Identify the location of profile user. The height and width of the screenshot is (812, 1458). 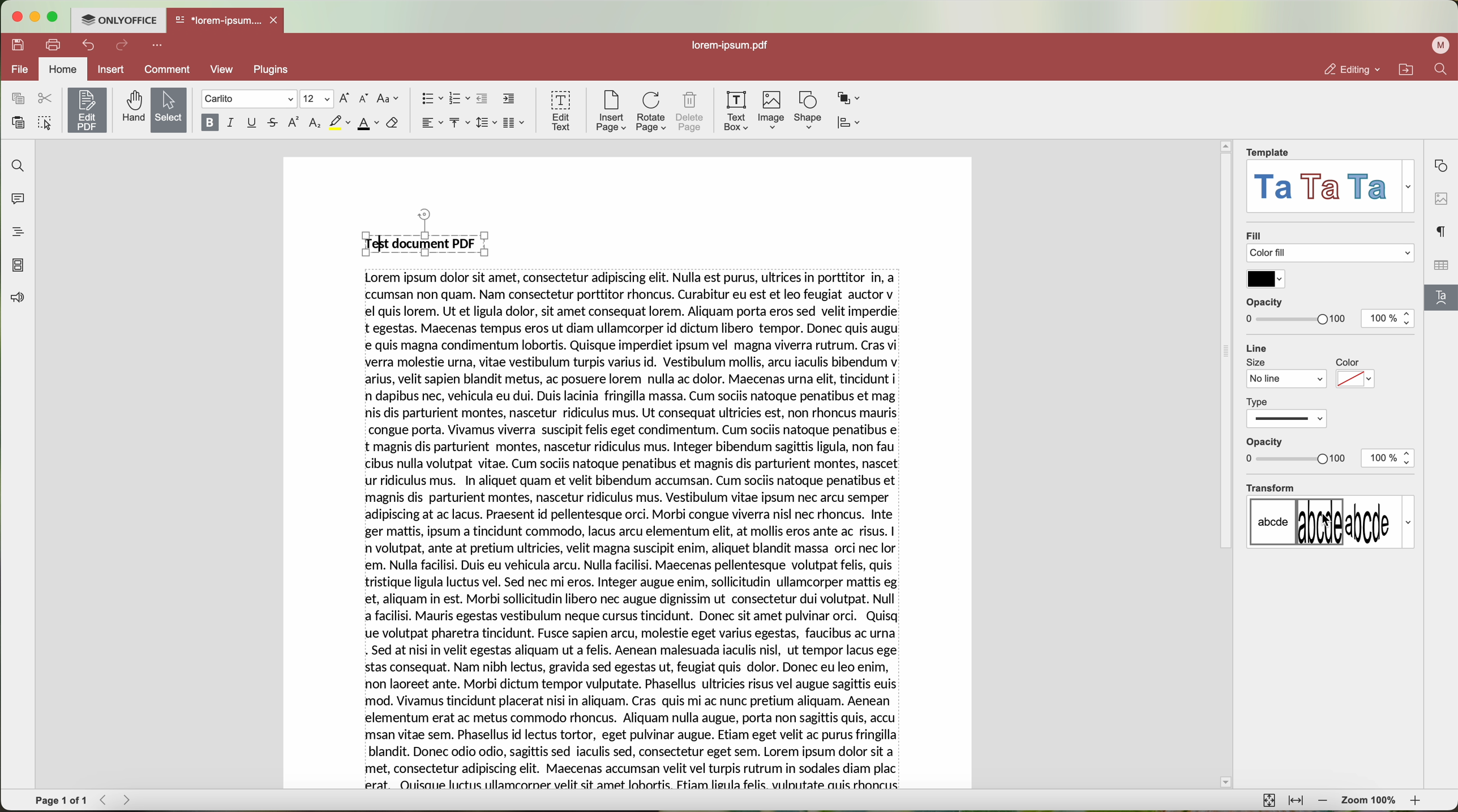
(1442, 46).